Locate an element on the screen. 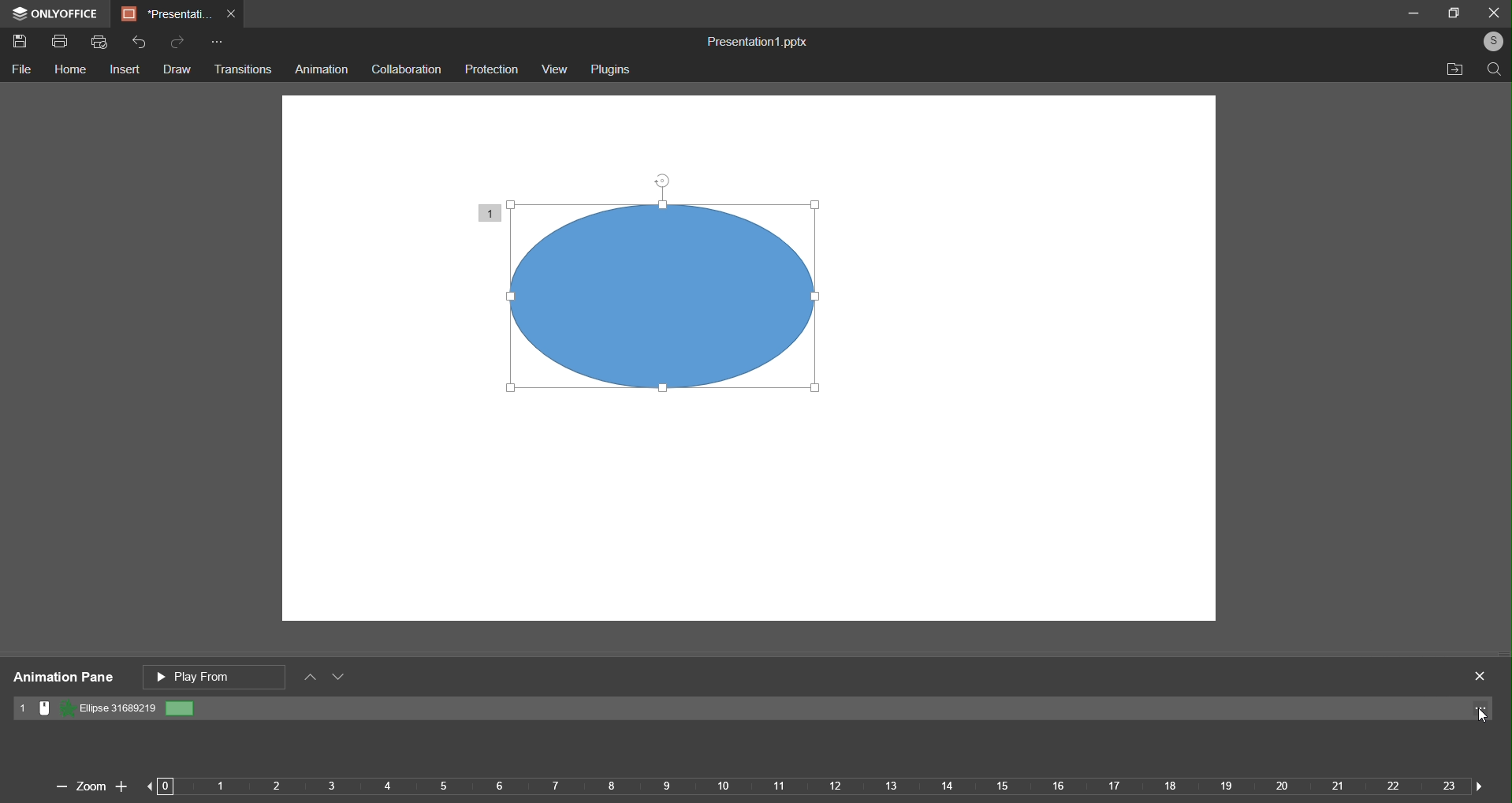 This screenshot has height=803, width=1512. Quick Print is located at coordinates (102, 43).